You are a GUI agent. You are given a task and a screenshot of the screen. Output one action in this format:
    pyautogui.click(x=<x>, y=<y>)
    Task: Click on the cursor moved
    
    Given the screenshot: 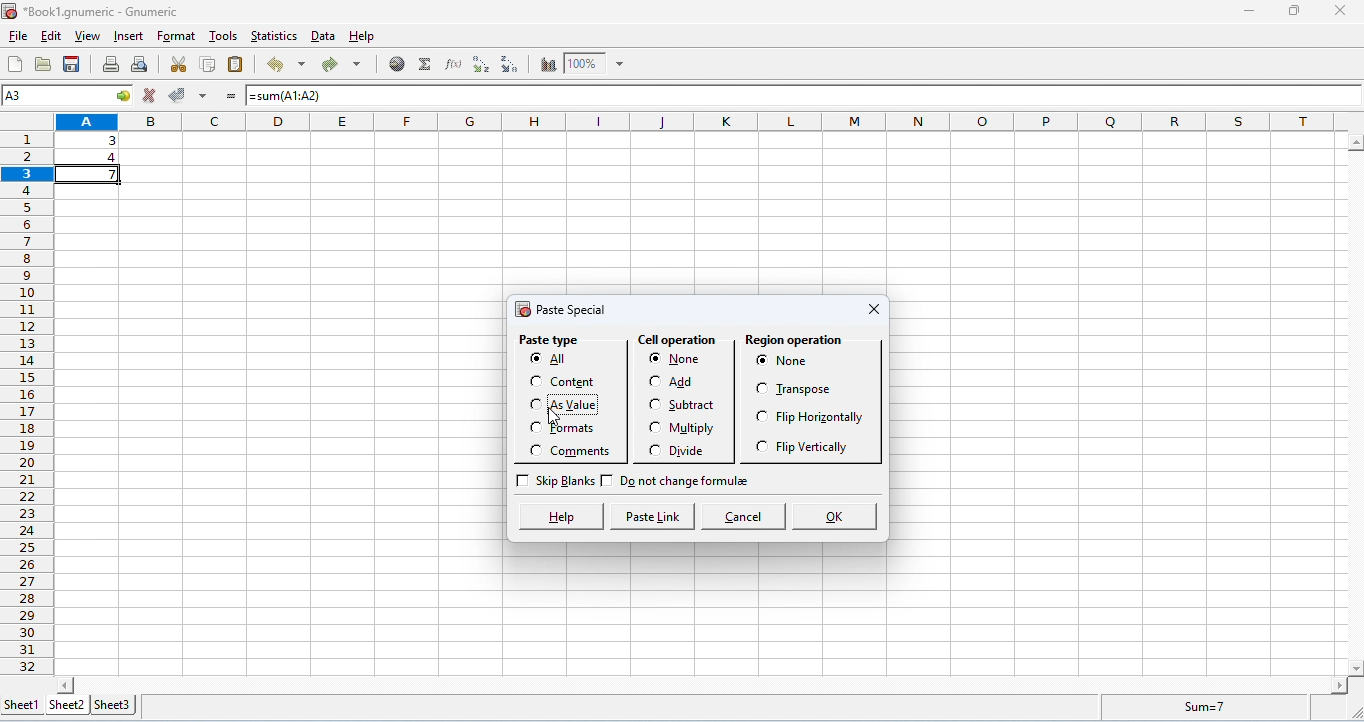 What is the action you would take?
    pyautogui.click(x=557, y=418)
    